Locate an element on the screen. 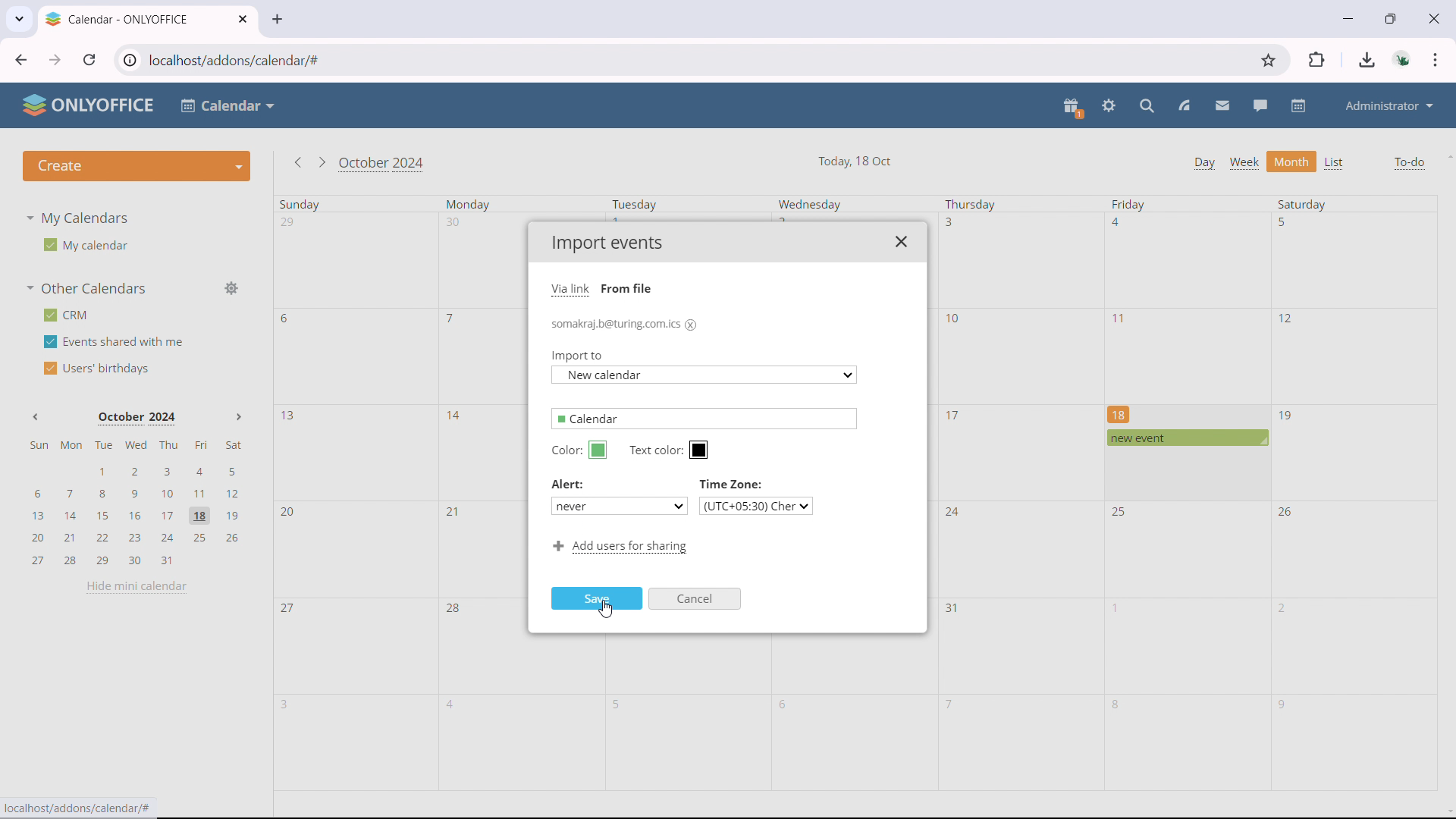  close is located at coordinates (1432, 17).